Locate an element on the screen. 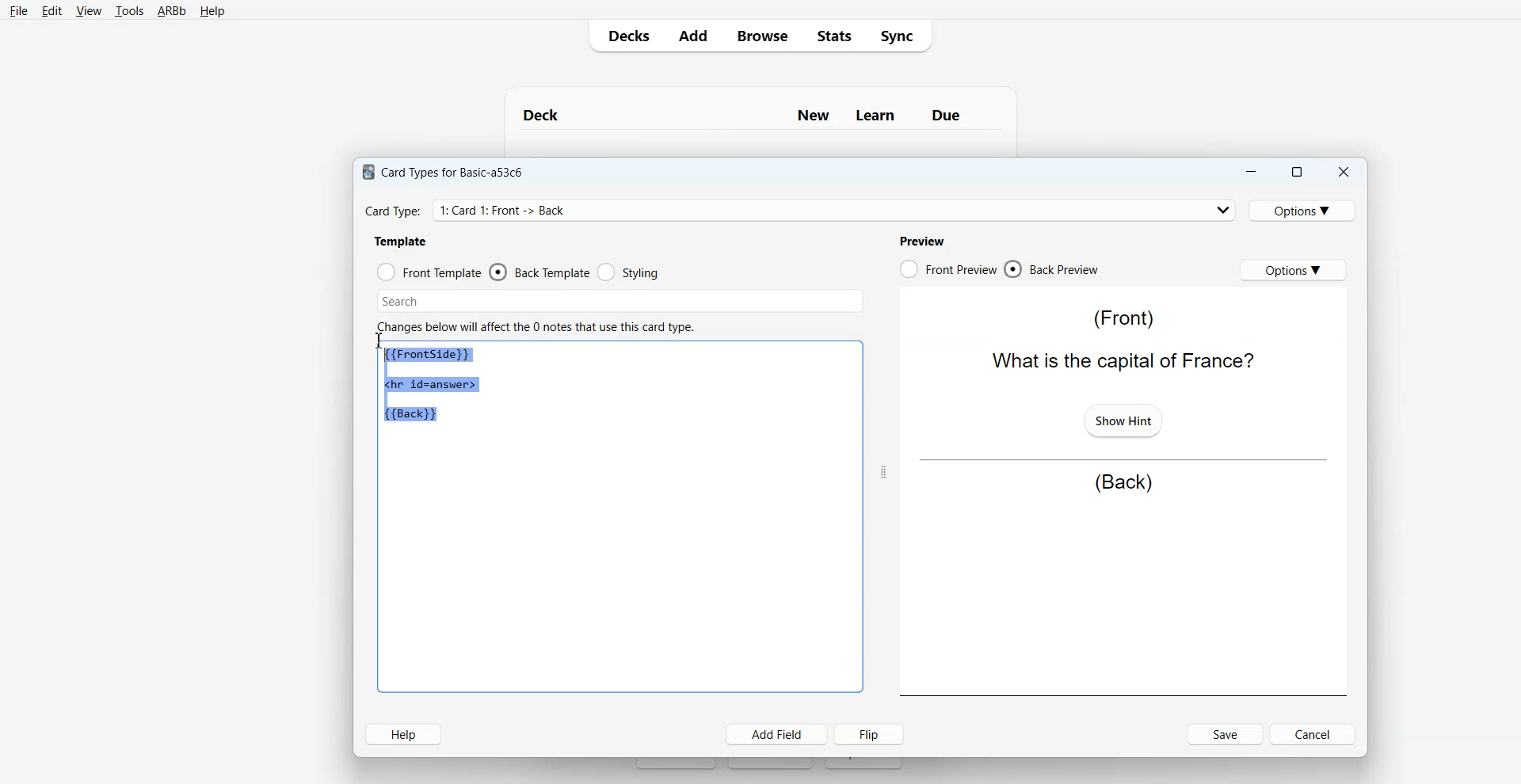 The width and height of the screenshot is (1521, 784). Browse is located at coordinates (761, 35).